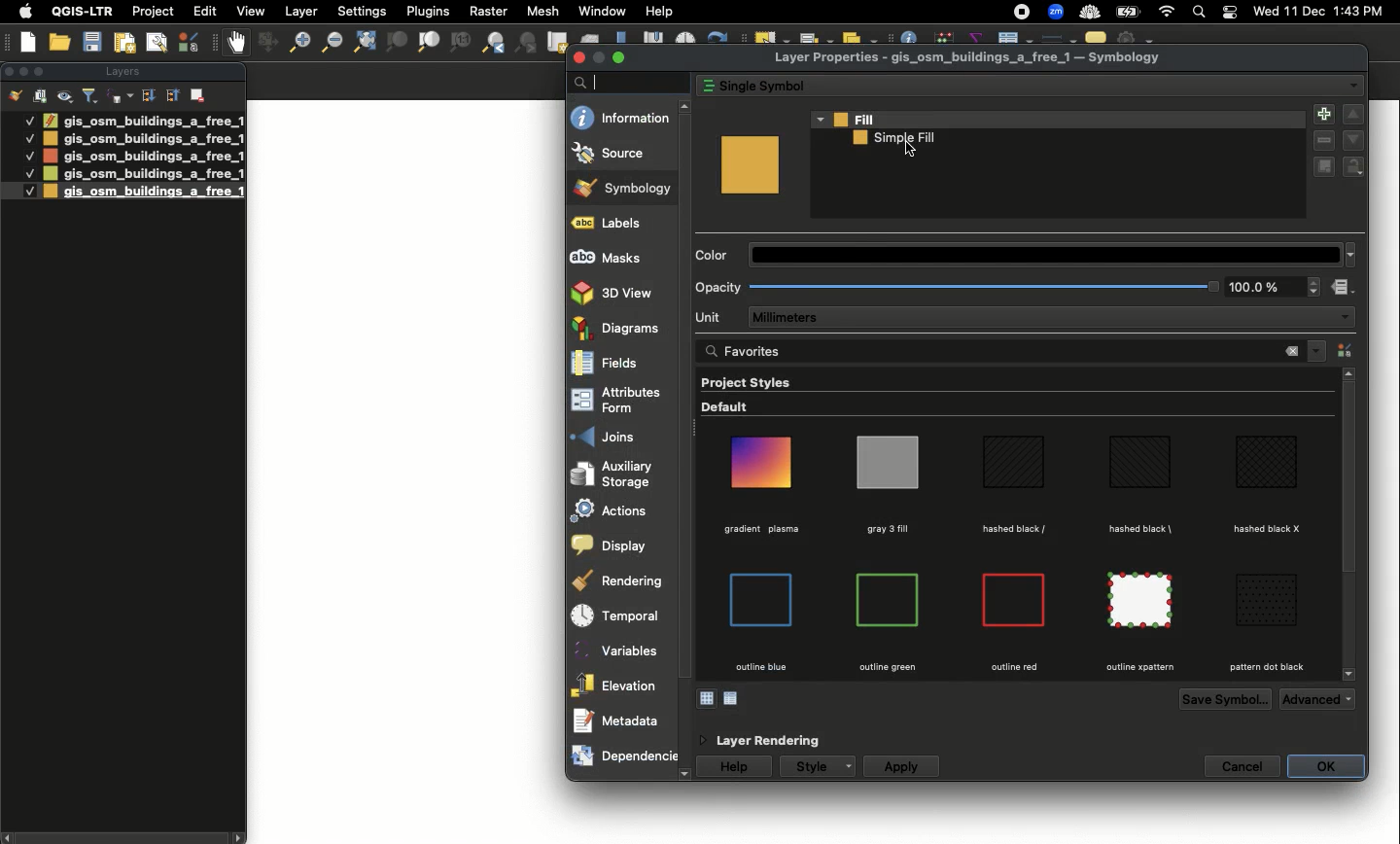  I want to click on Checked, so click(19, 191).